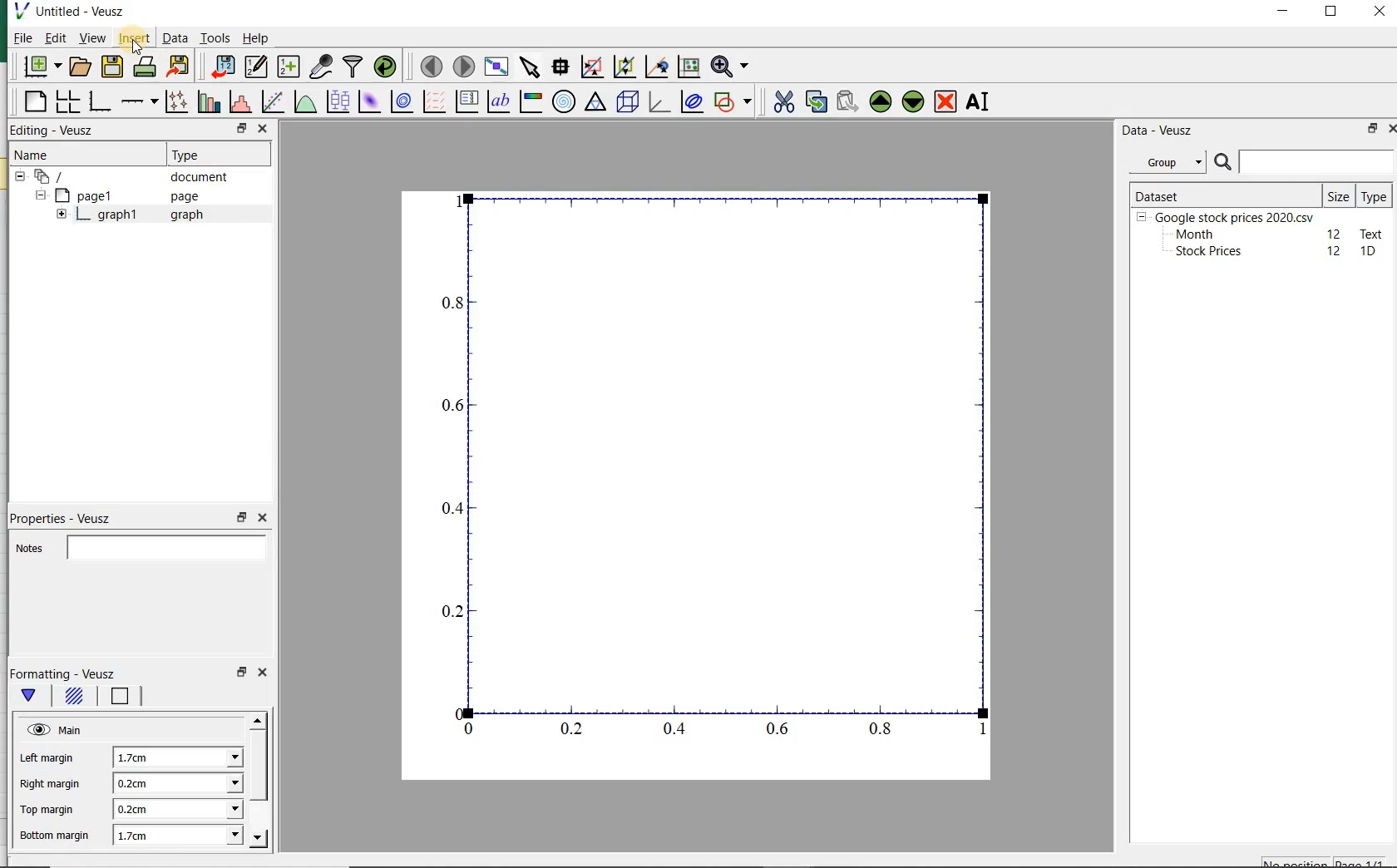 This screenshot has width=1397, height=868. What do you see at coordinates (628, 103) in the screenshot?
I see `3d scene` at bounding box center [628, 103].